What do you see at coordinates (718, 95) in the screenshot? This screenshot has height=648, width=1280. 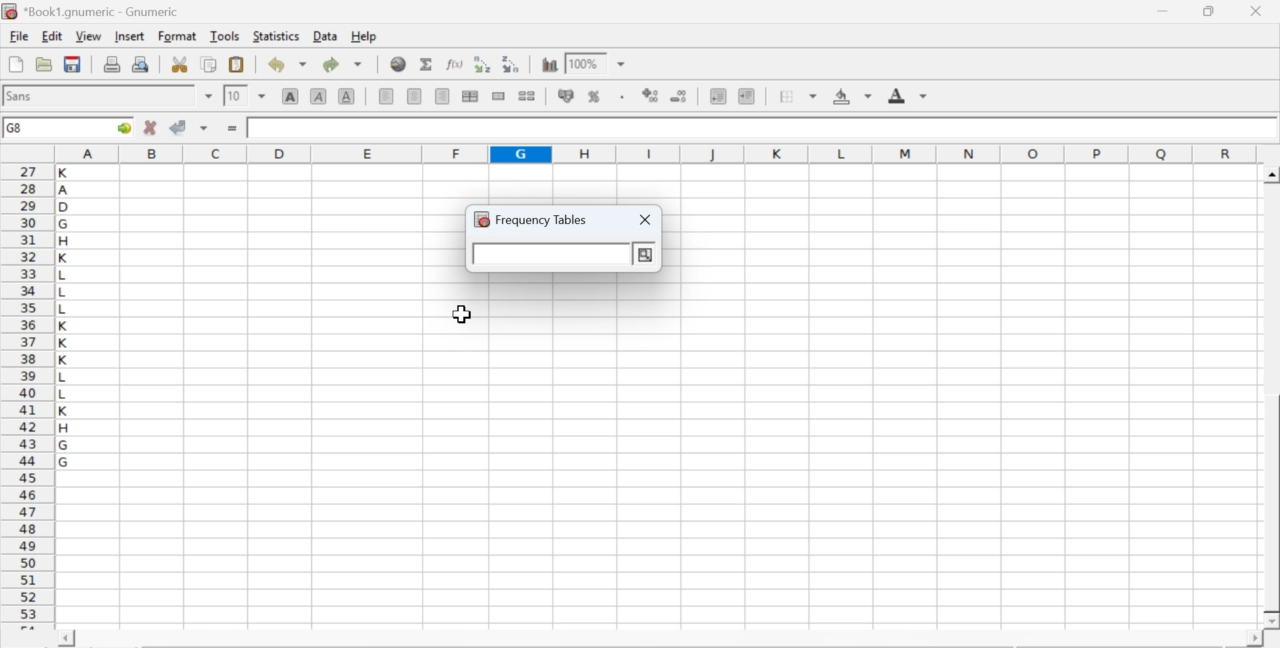 I see `decrease indent` at bounding box center [718, 95].